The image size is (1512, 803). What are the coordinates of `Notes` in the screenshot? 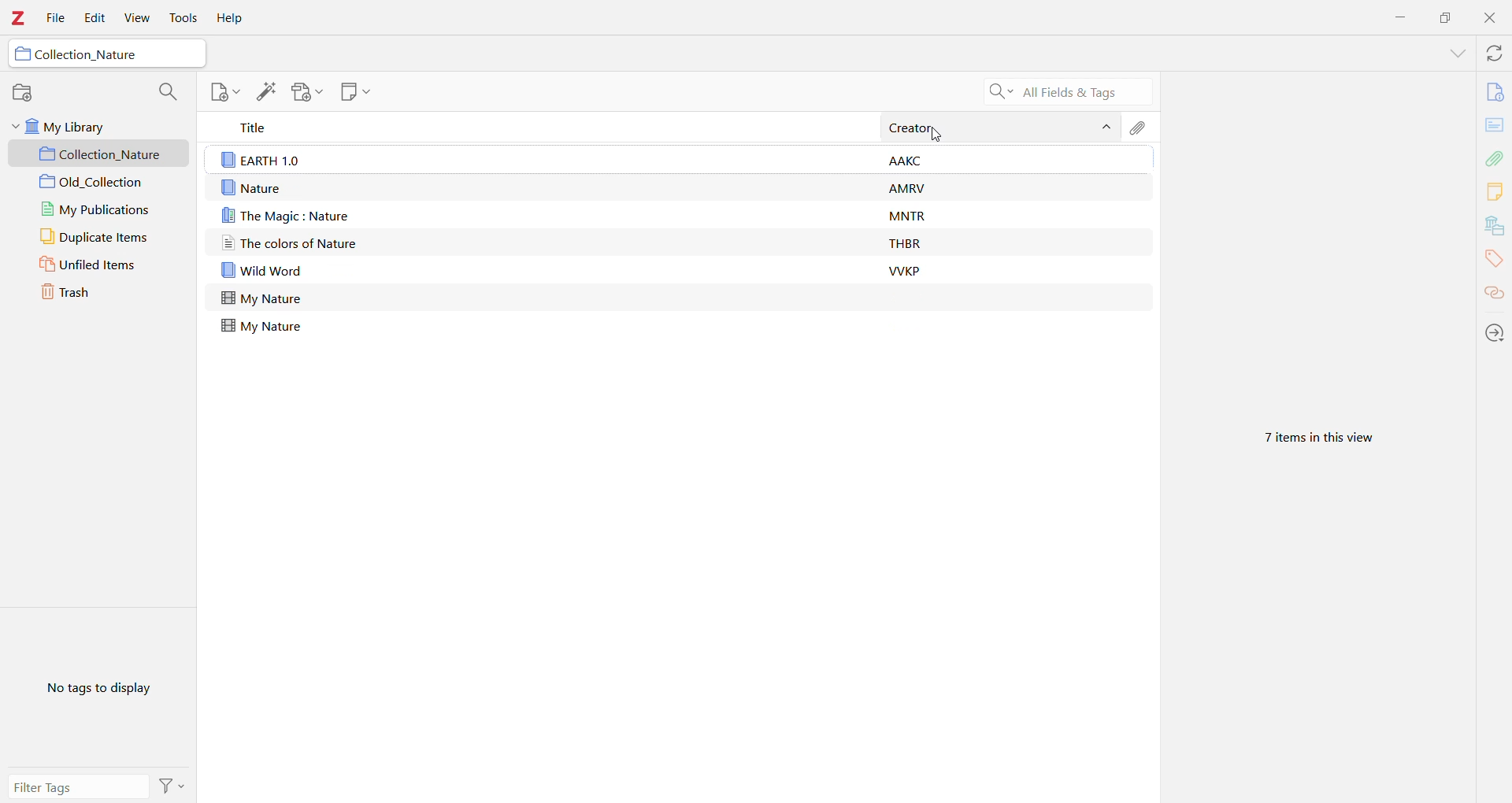 It's located at (1495, 191).